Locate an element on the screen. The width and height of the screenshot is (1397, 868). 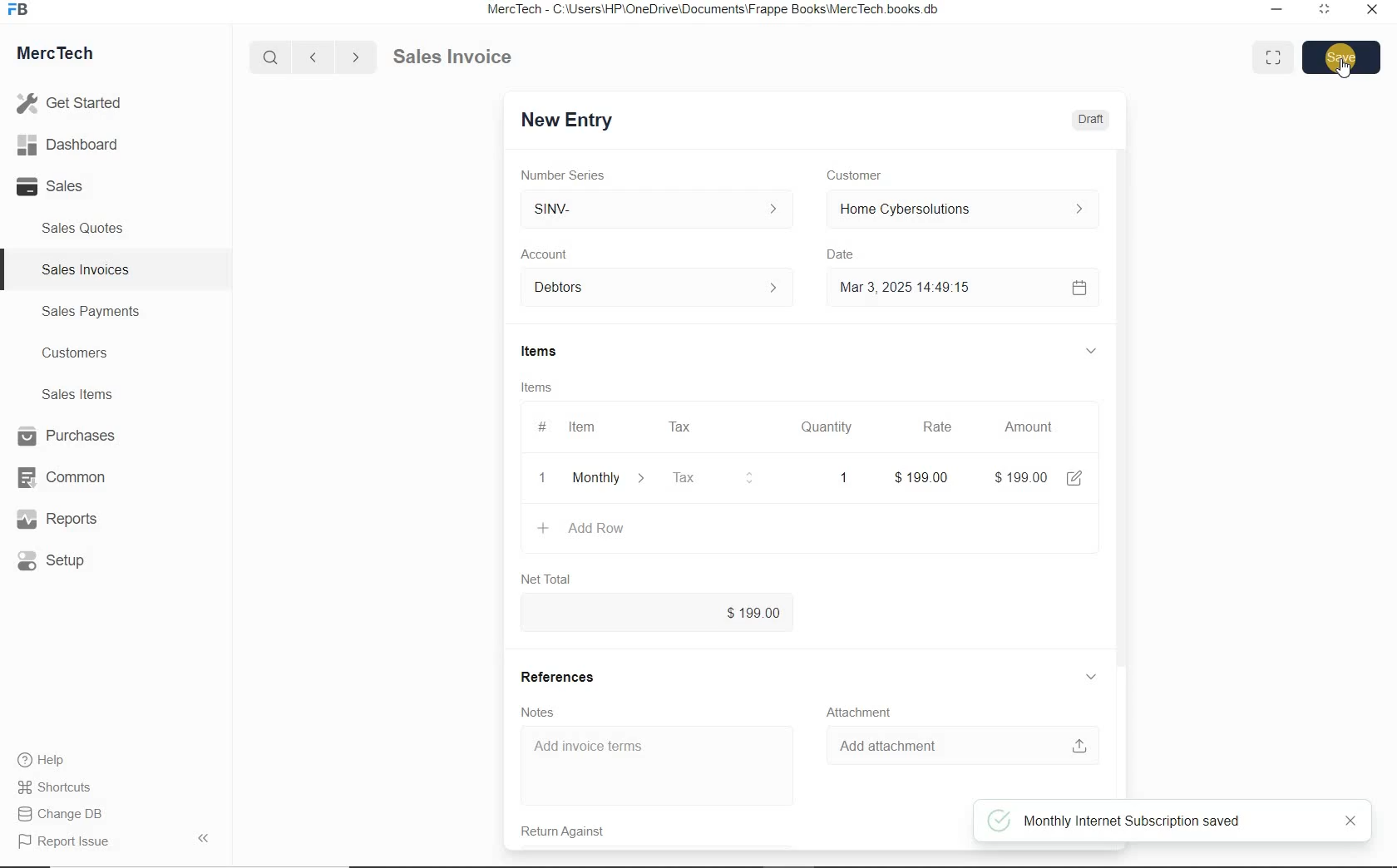
Draft is located at coordinates (1092, 120).